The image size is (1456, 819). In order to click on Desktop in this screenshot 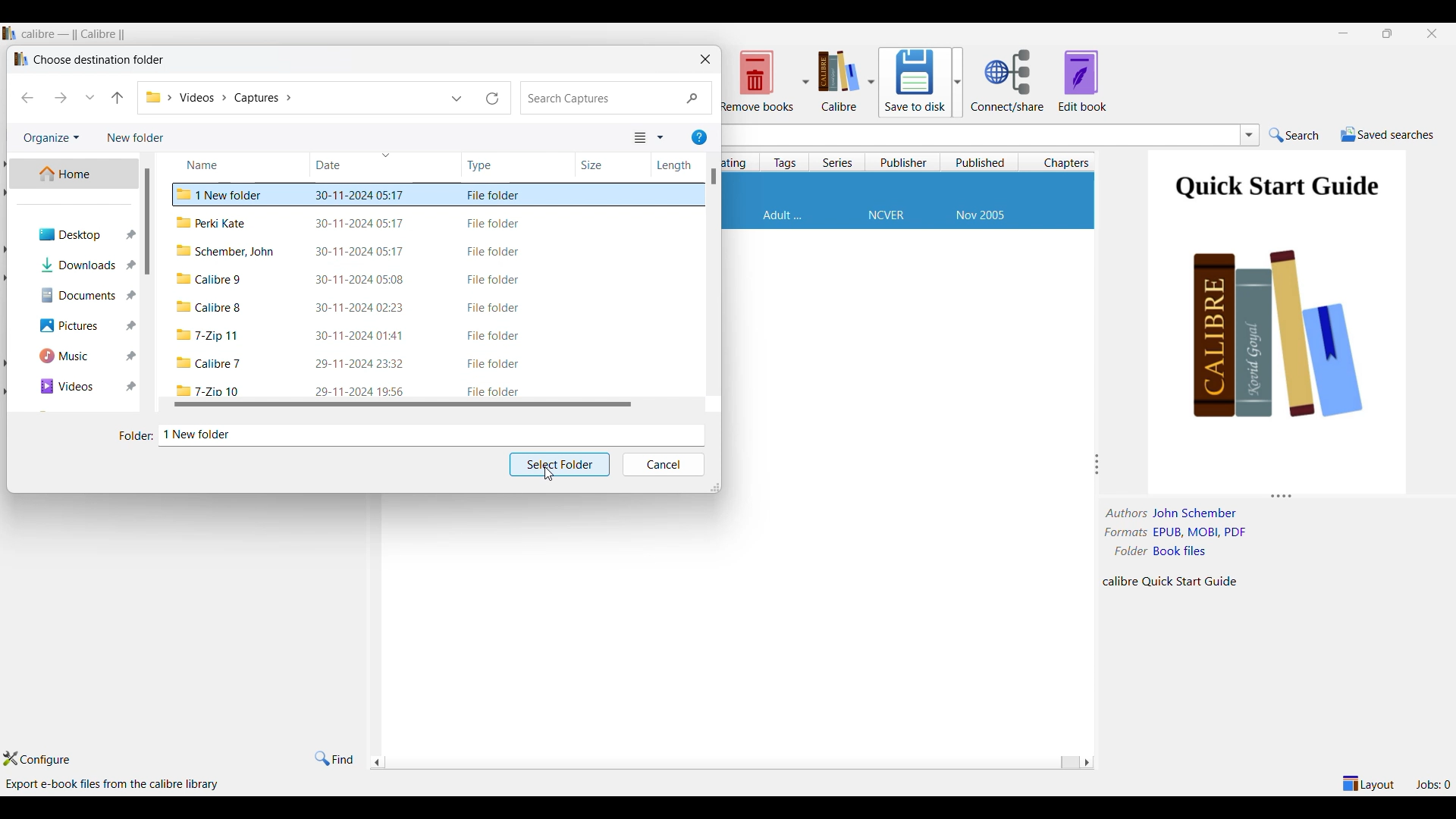, I will do `click(78, 234)`.